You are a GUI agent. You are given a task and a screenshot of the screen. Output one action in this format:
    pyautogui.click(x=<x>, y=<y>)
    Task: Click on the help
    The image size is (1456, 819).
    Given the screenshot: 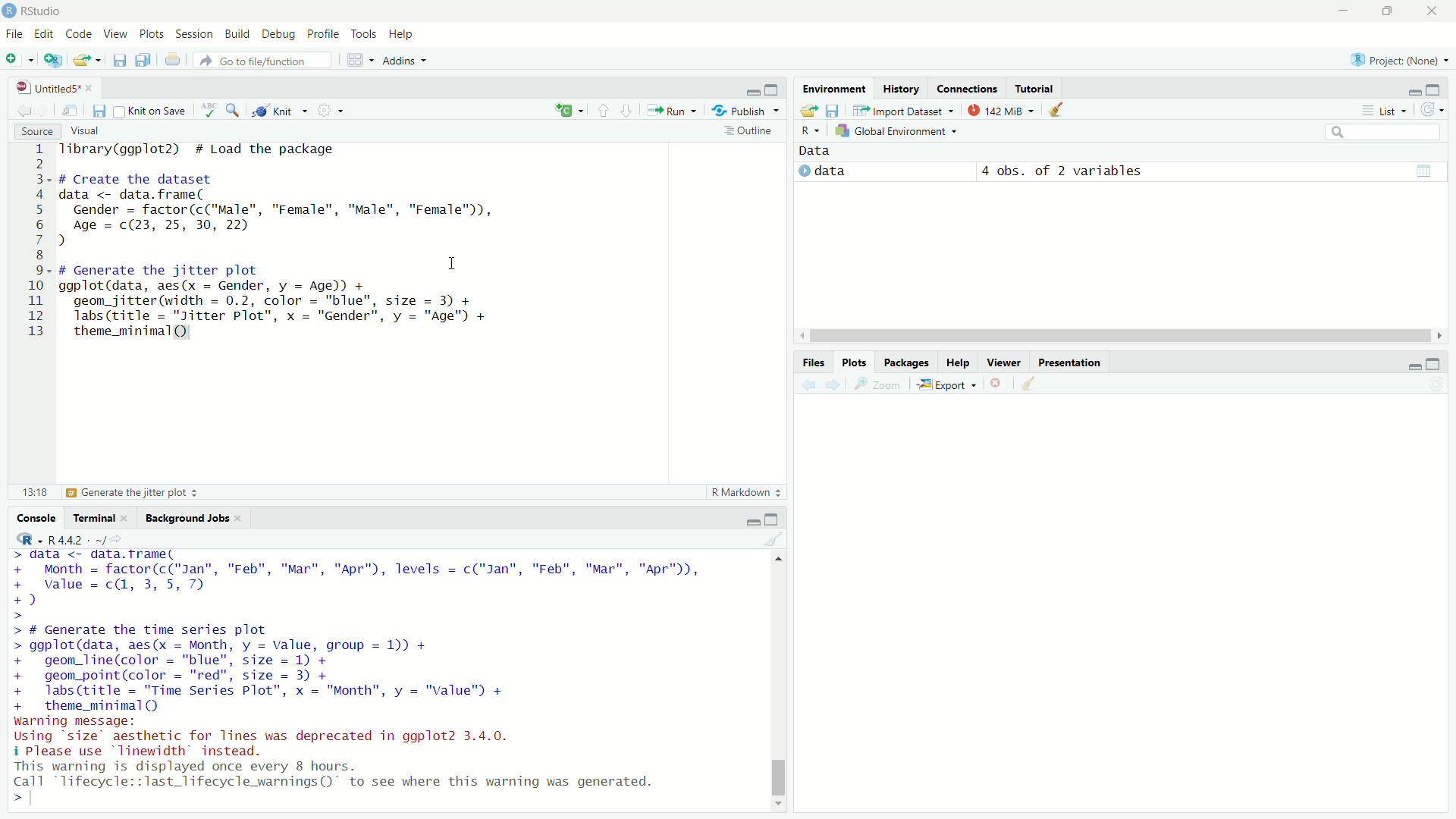 What is the action you would take?
    pyautogui.click(x=959, y=364)
    